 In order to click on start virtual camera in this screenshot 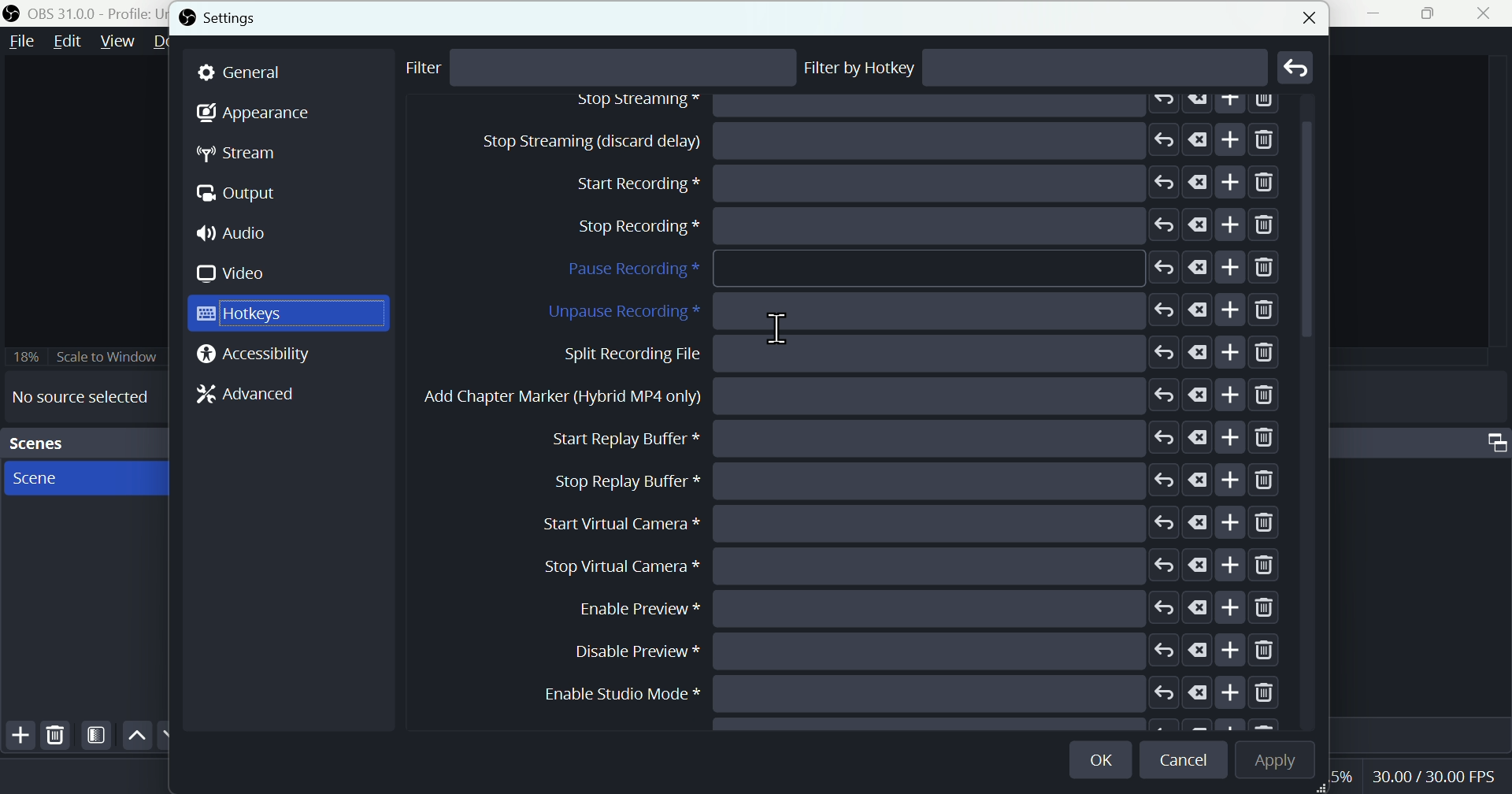, I will do `click(905, 518)`.